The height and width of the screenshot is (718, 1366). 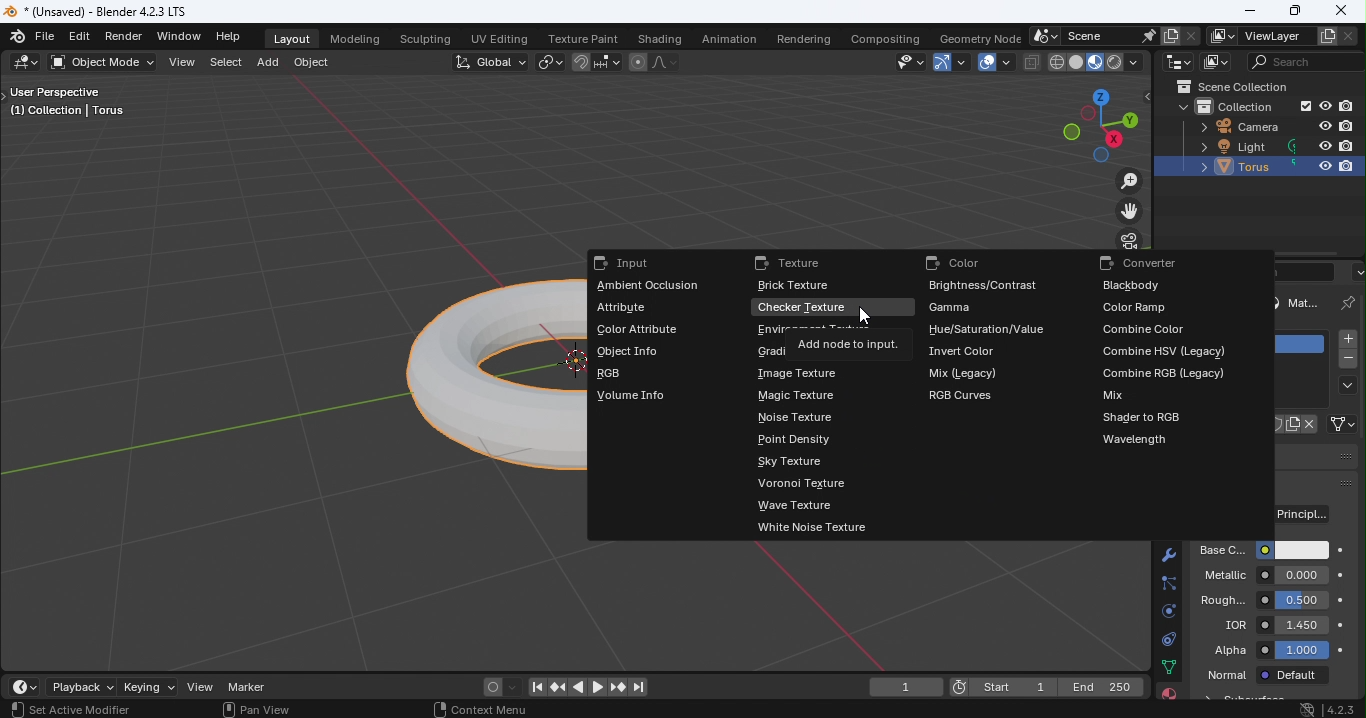 I want to click on View, so click(x=200, y=688).